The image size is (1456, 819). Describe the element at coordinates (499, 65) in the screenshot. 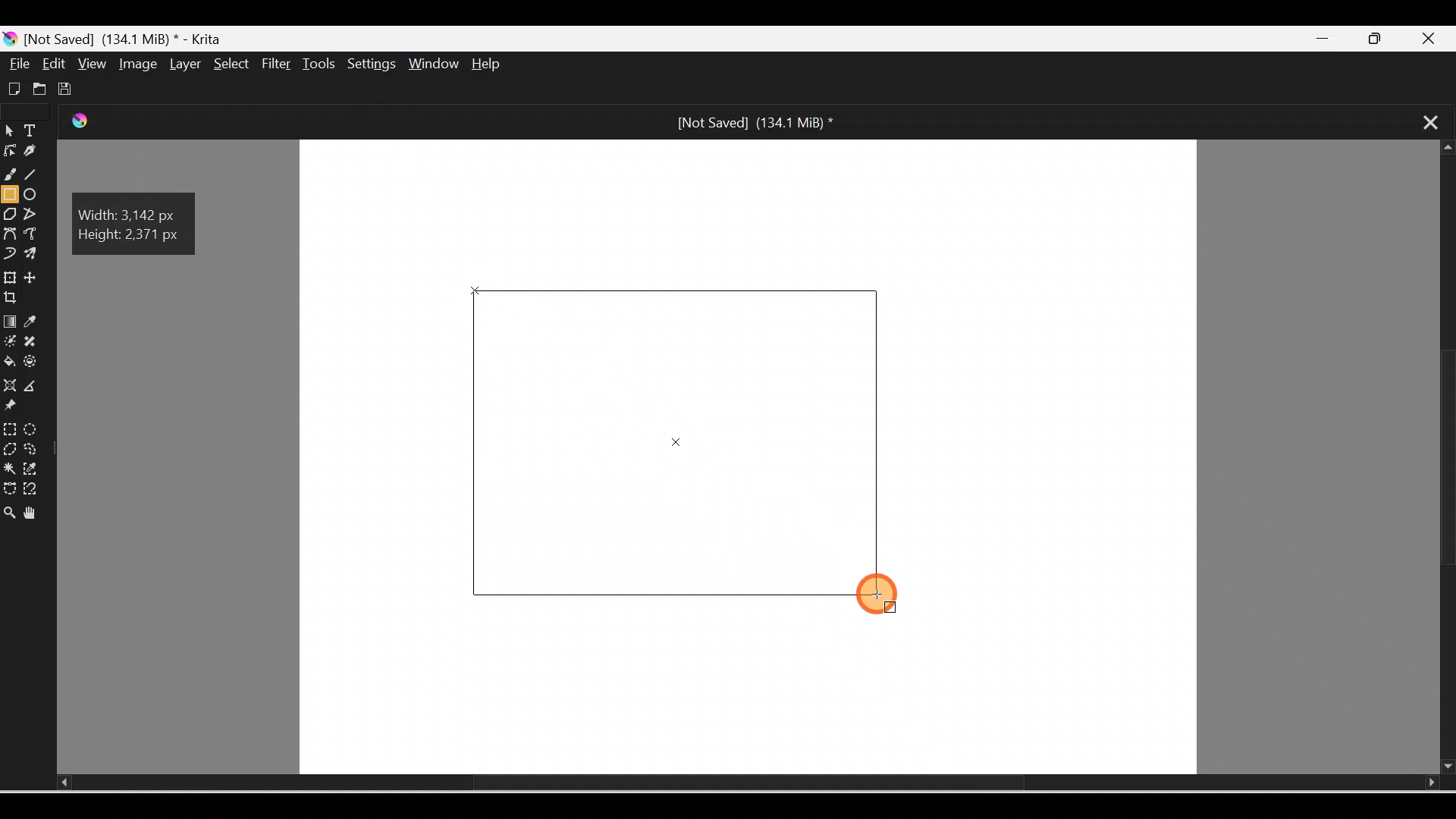

I see `Help` at that location.